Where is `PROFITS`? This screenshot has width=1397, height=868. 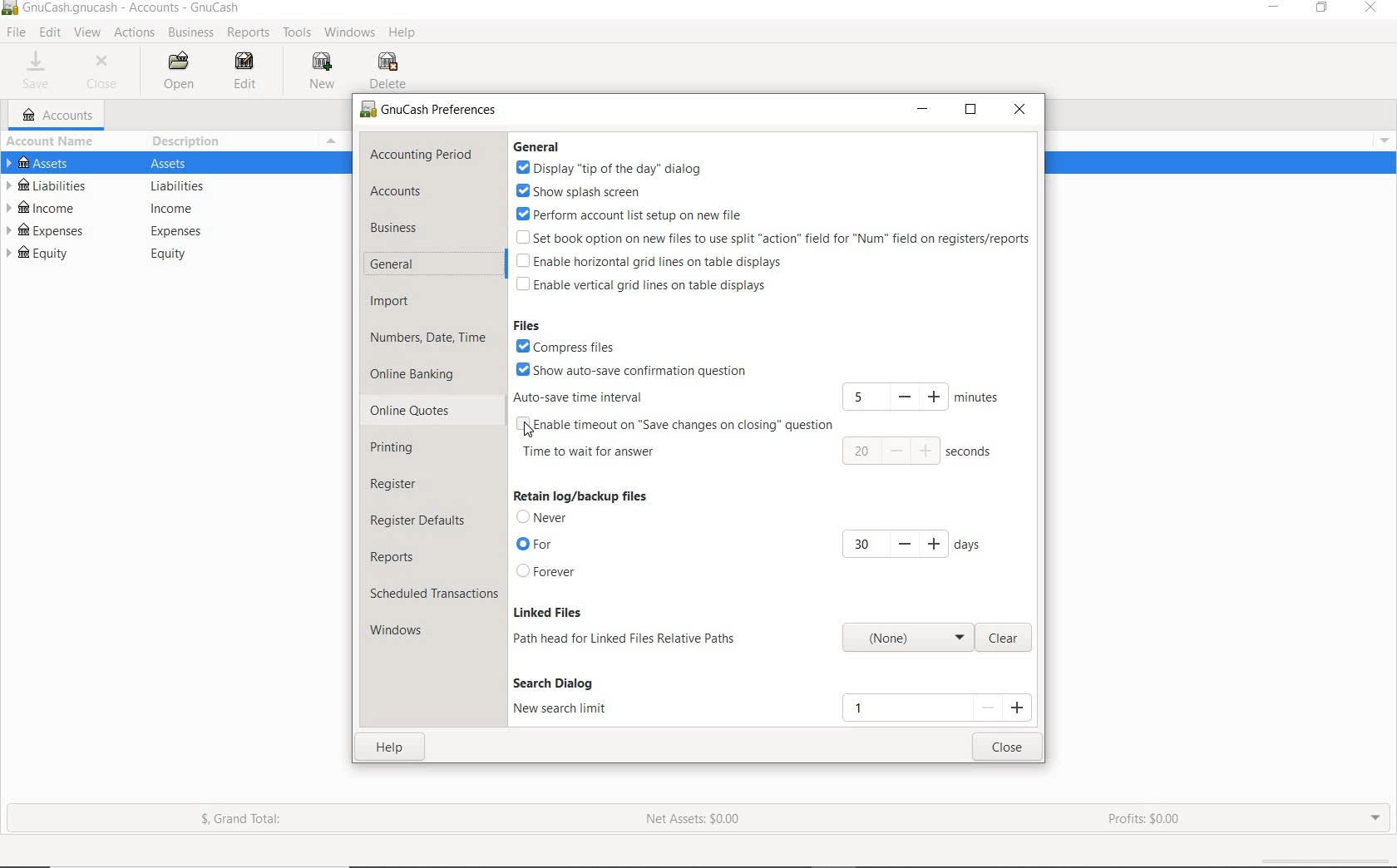
PROFITS is located at coordinates (1145, 821).